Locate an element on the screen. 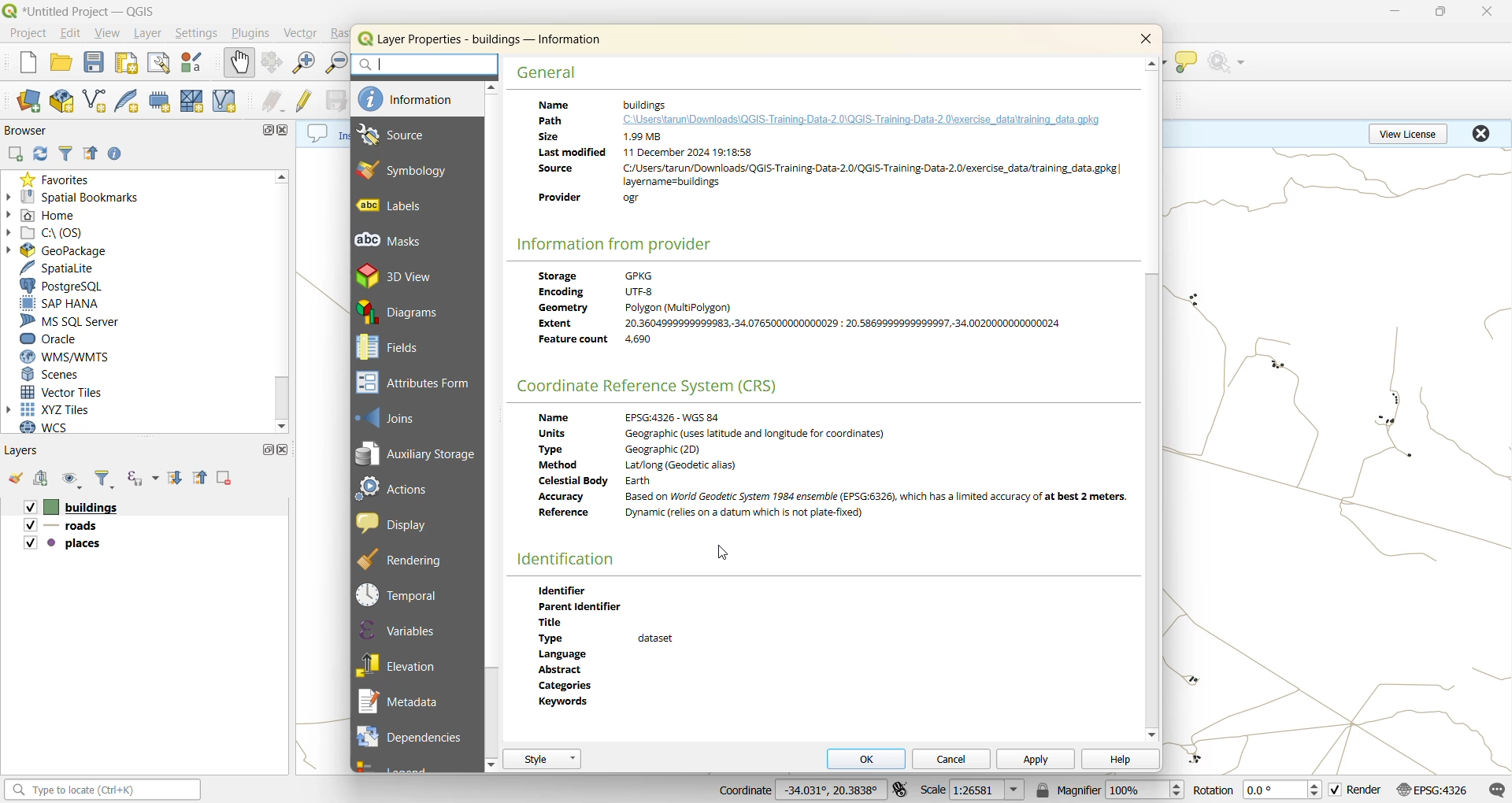 The width and height of the screenshot is (1512, 803). filter by expression is located at coordinates (146, 477).